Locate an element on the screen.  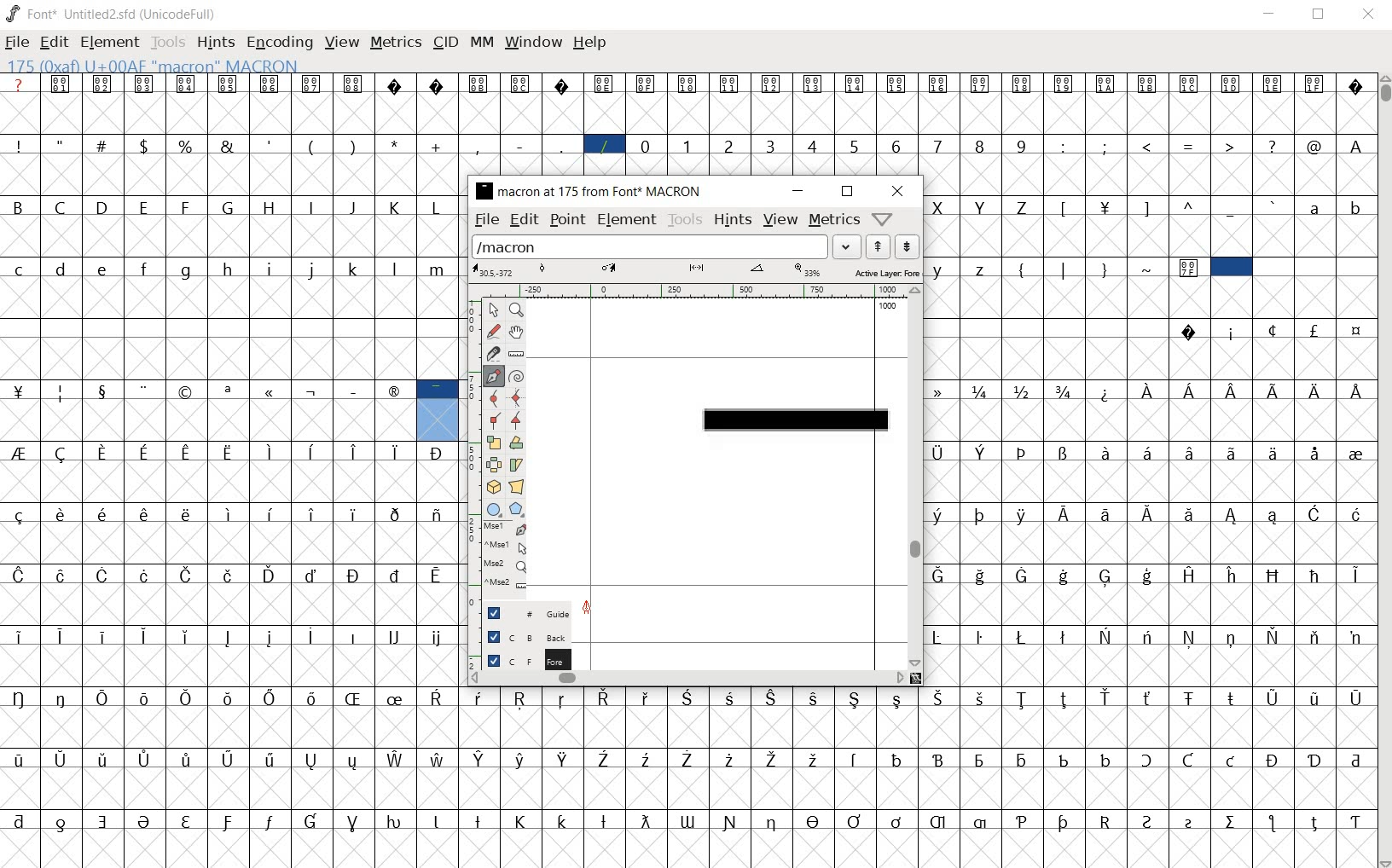
/ is located at coordinates (604, 144).